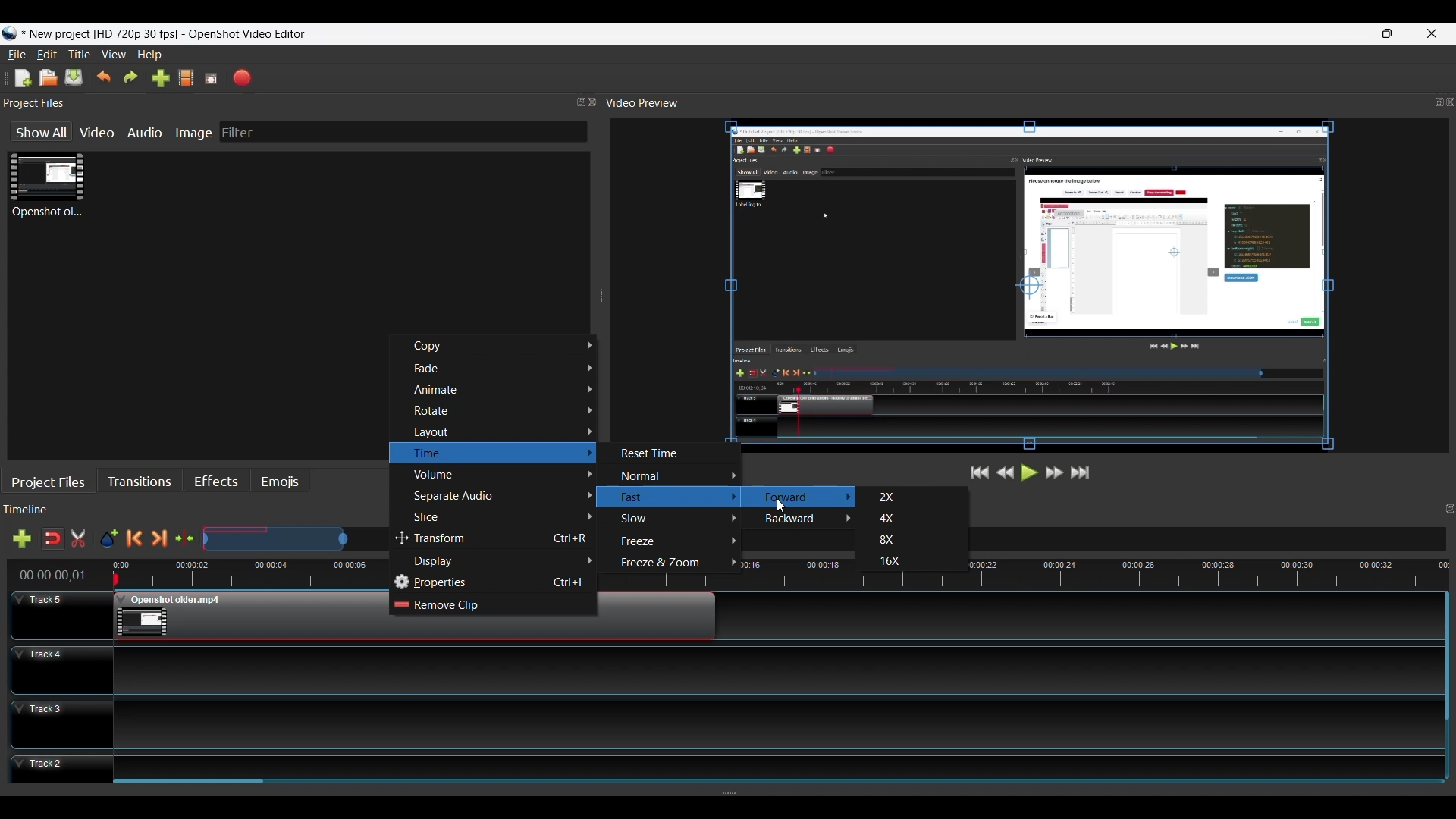 The width and height of the screenshot is (1456, 819). I want to click on Save File, so click(74, 78).